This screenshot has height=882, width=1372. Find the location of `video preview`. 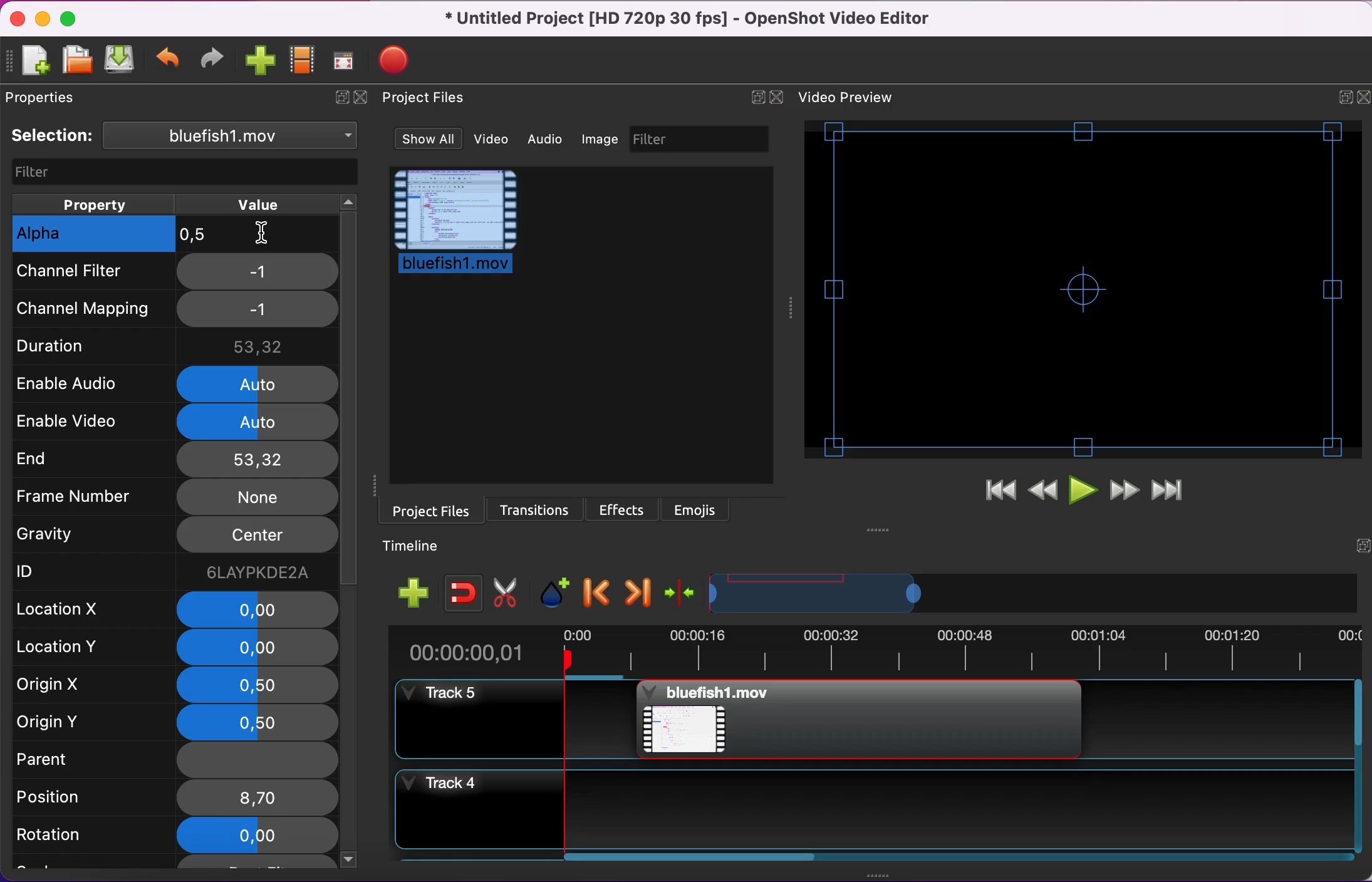

video preview is located at coordinates (855, 98).